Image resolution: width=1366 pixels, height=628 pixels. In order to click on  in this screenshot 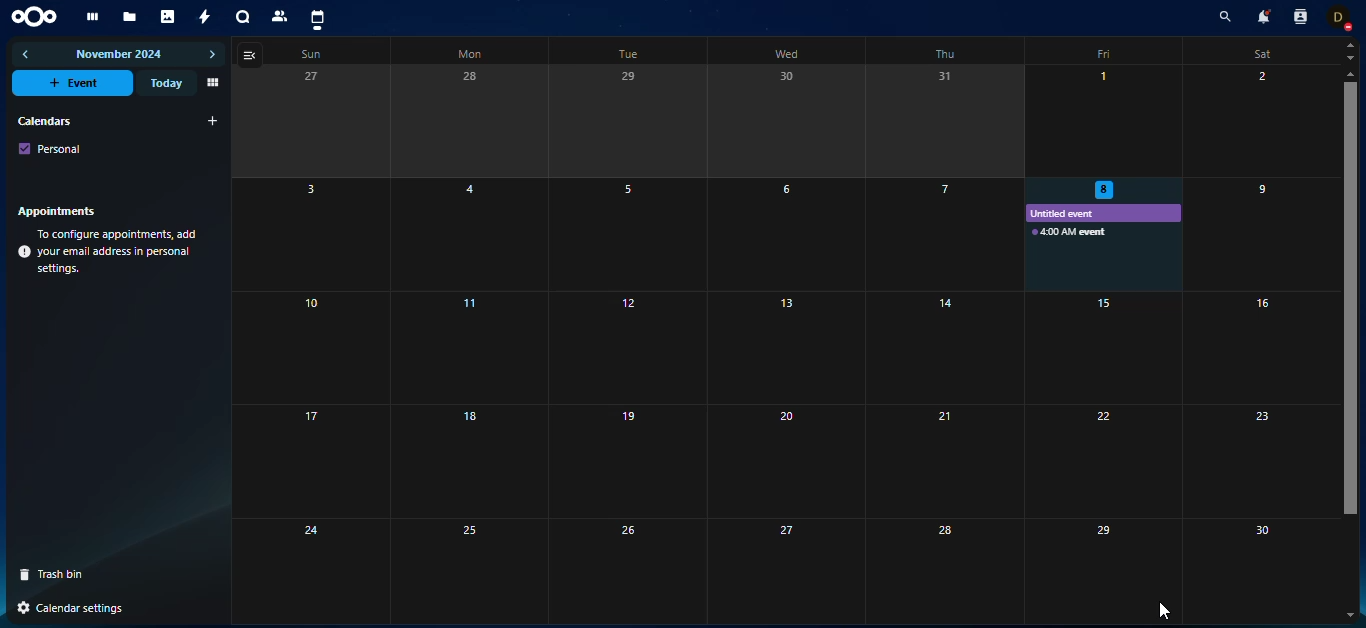, I will do `click(1346, 307)`.